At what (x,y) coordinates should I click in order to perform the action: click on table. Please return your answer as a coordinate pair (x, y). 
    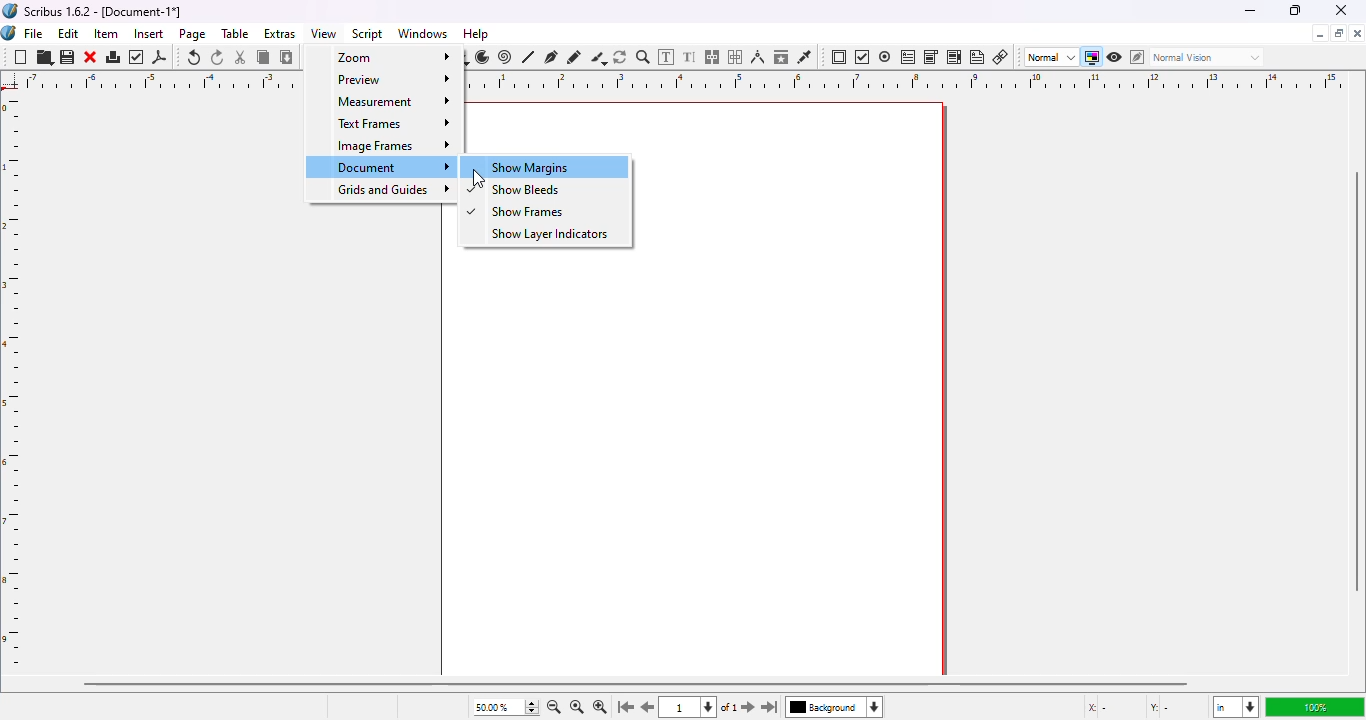
    Looking at the image, I should click on (236, 34).